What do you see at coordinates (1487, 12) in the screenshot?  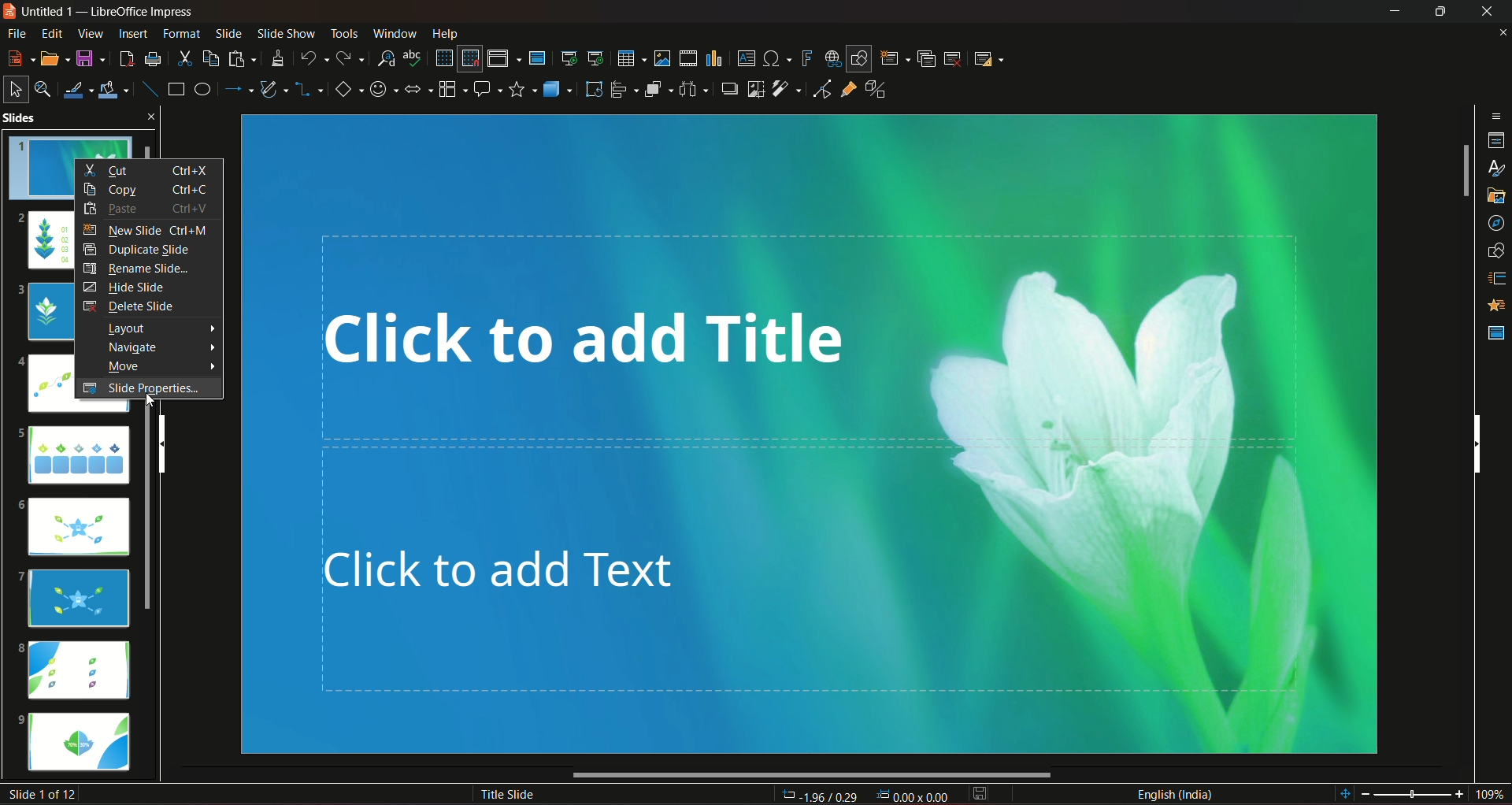 I see `close` at bounding box center [1487, 12].